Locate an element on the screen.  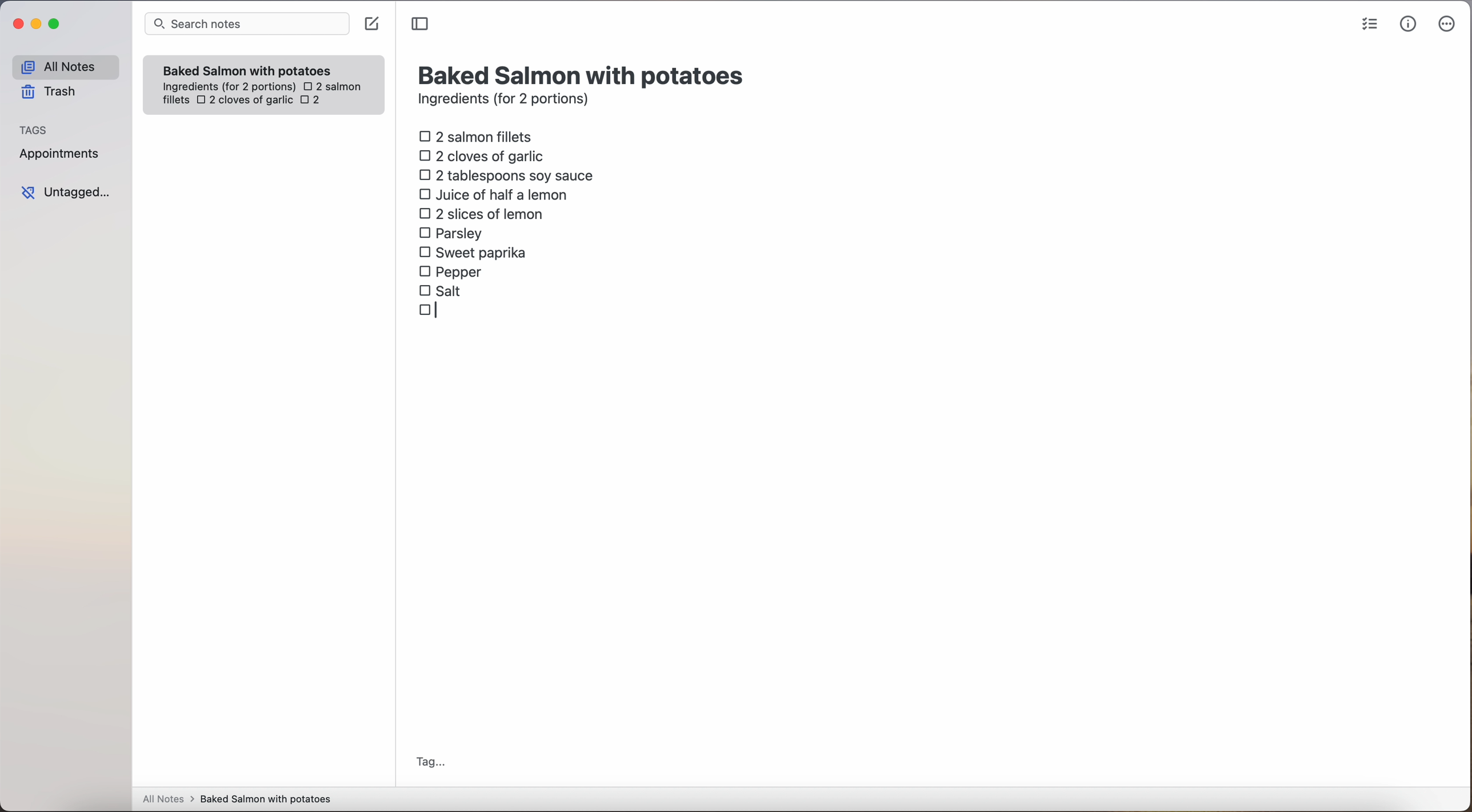
salt is located at coordinates (442, 290).